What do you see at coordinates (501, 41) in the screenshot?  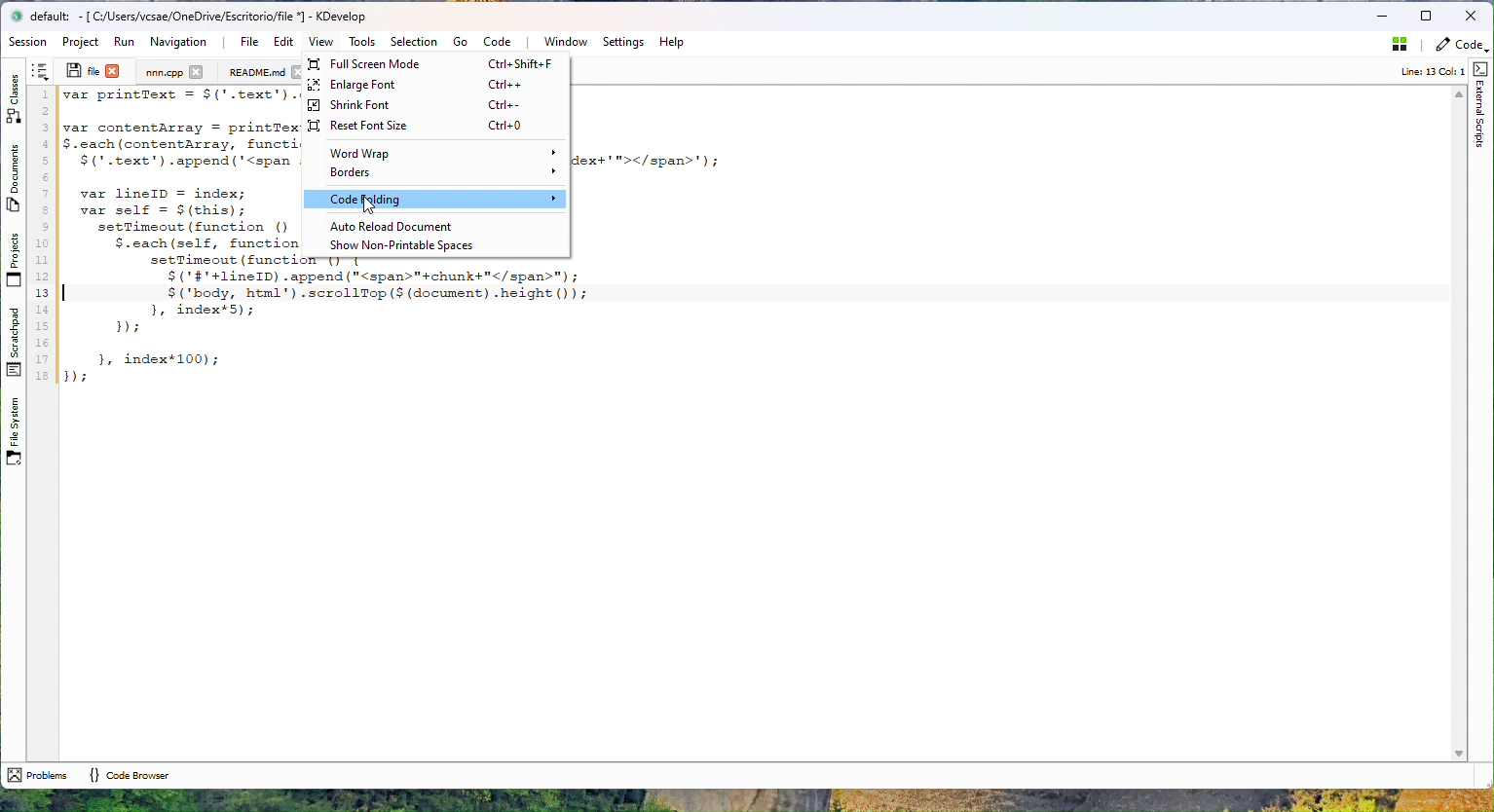 I see `Code` at bounding box center [501, 41].